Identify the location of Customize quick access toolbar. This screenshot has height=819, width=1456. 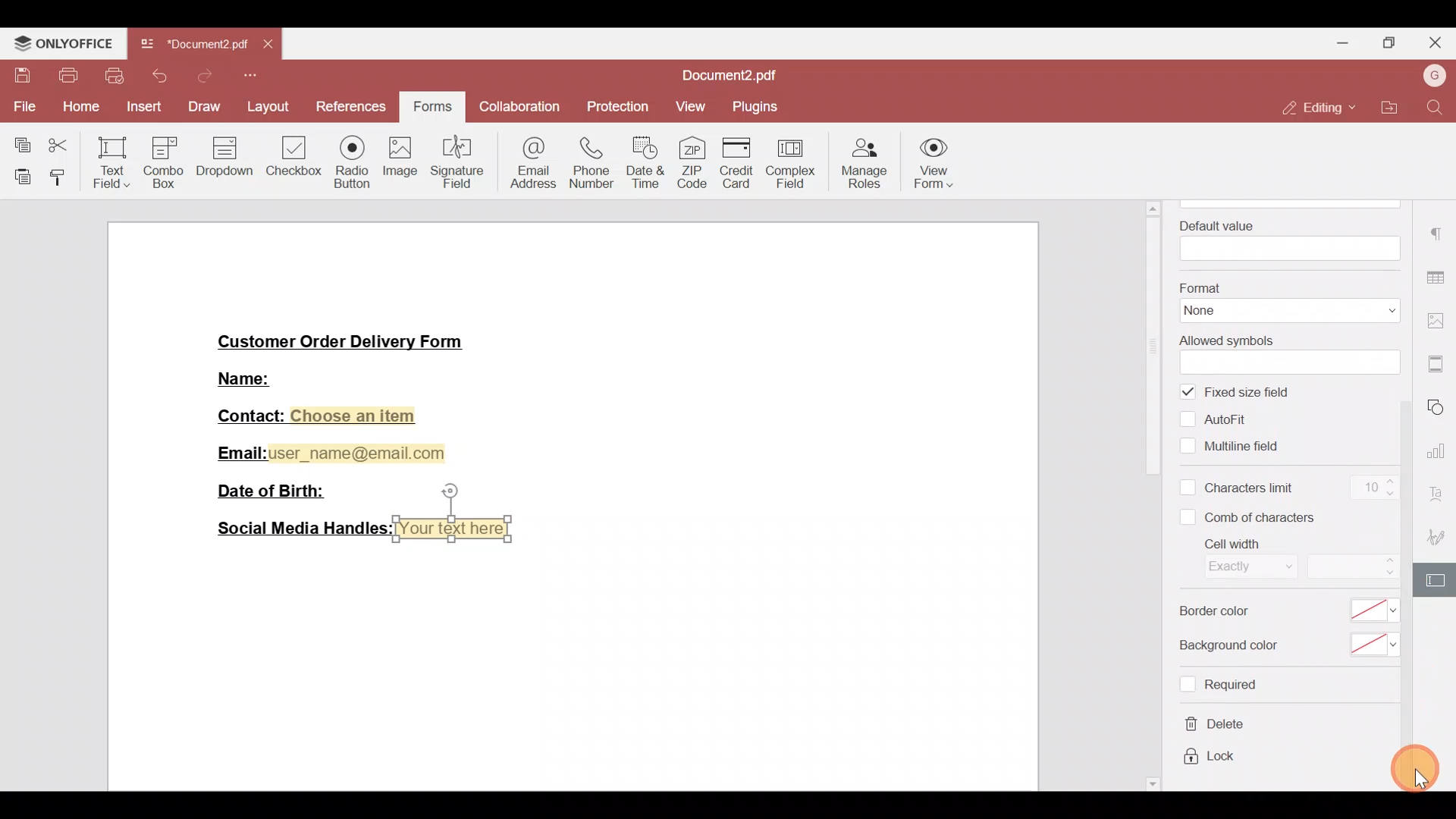
(251, 76).